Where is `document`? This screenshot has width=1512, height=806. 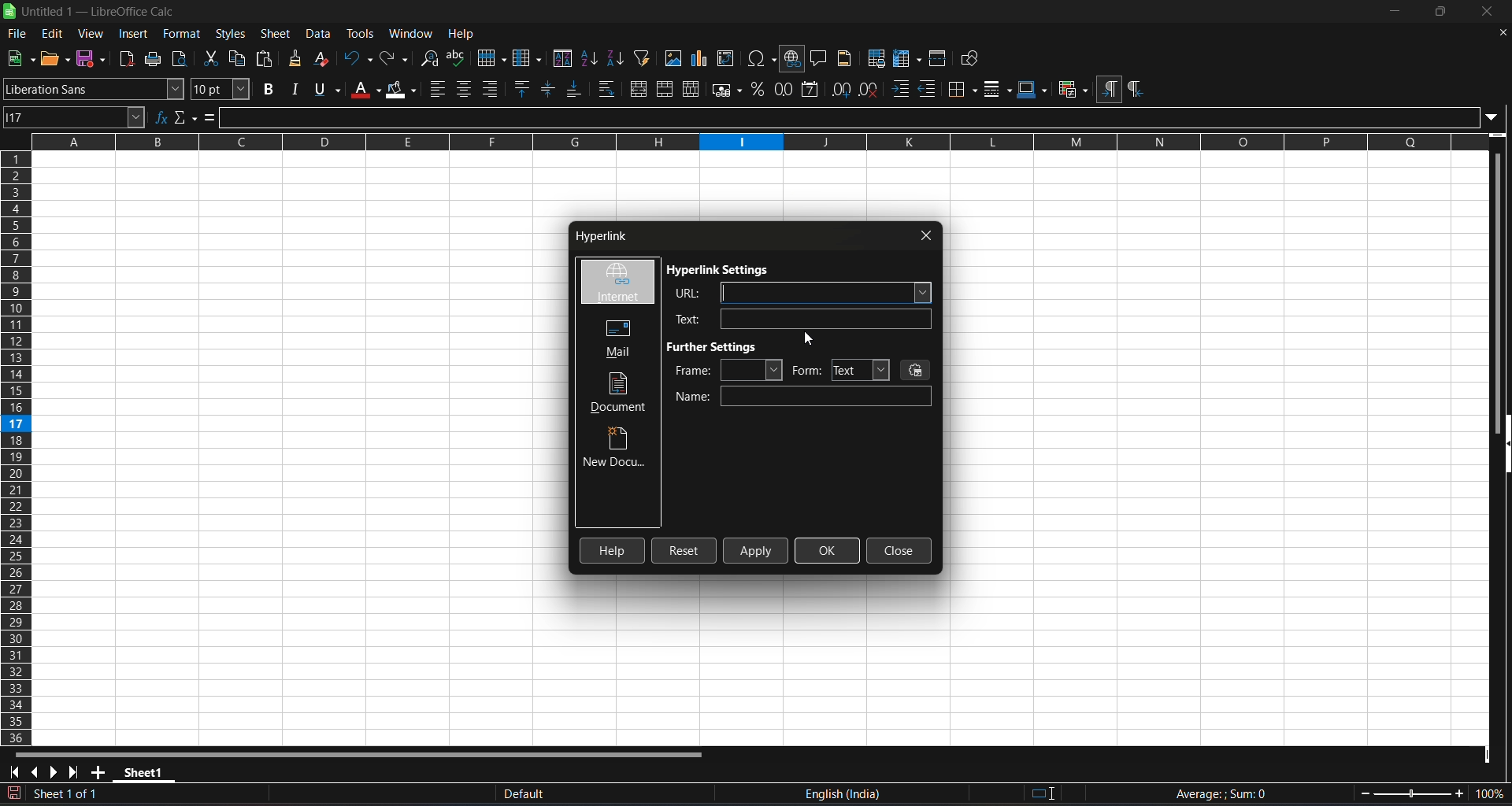 document is located at coordinates (621, 393).